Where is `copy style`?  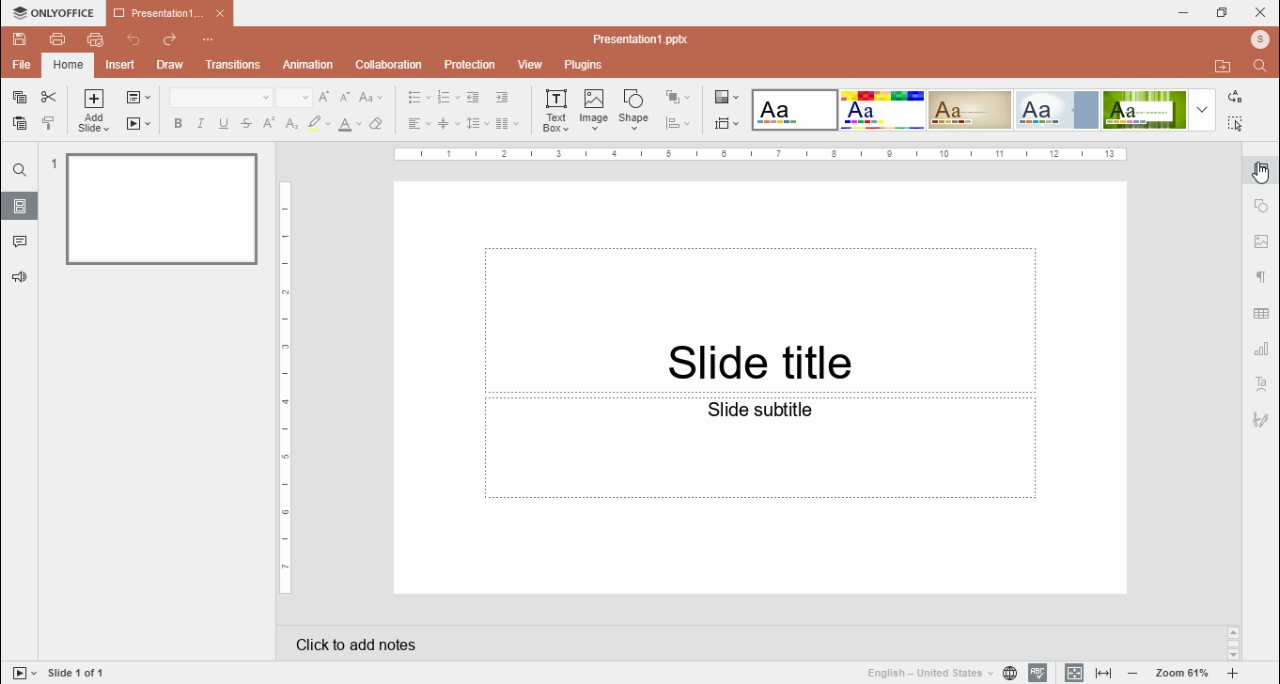 copy style is located at coordinates (48, 124).